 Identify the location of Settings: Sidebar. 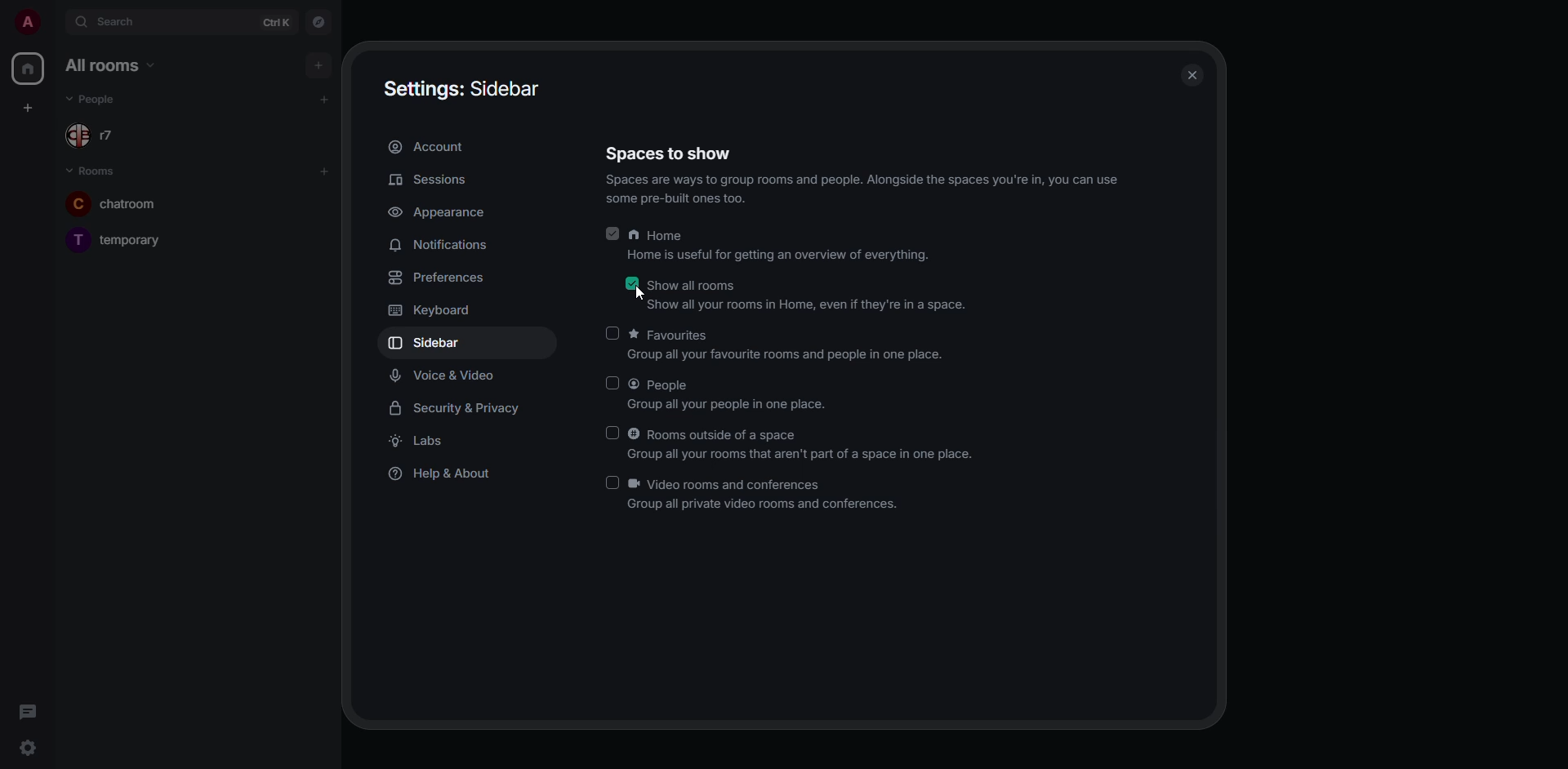
(465, 89).